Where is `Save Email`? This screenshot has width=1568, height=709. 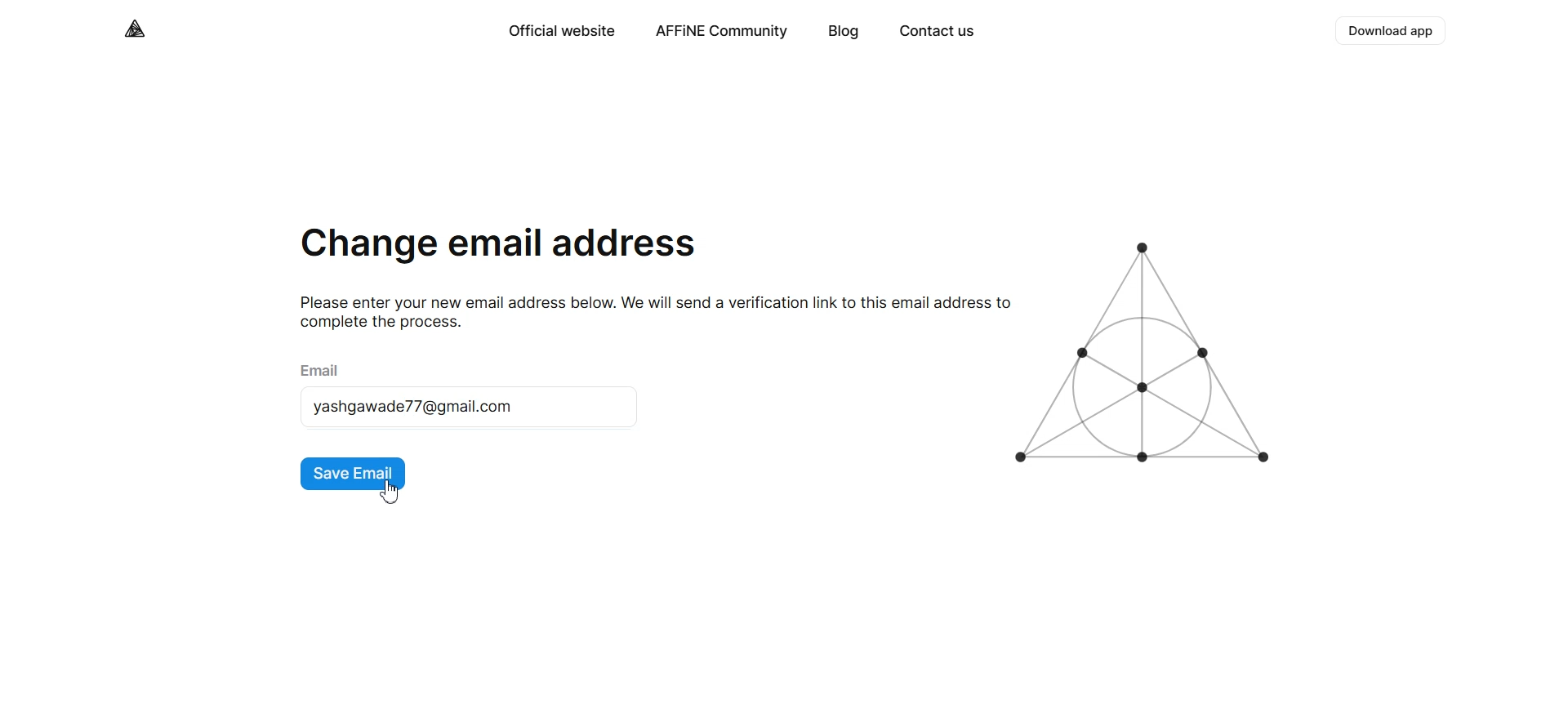
Save Email is located at coordinates (354, 475).